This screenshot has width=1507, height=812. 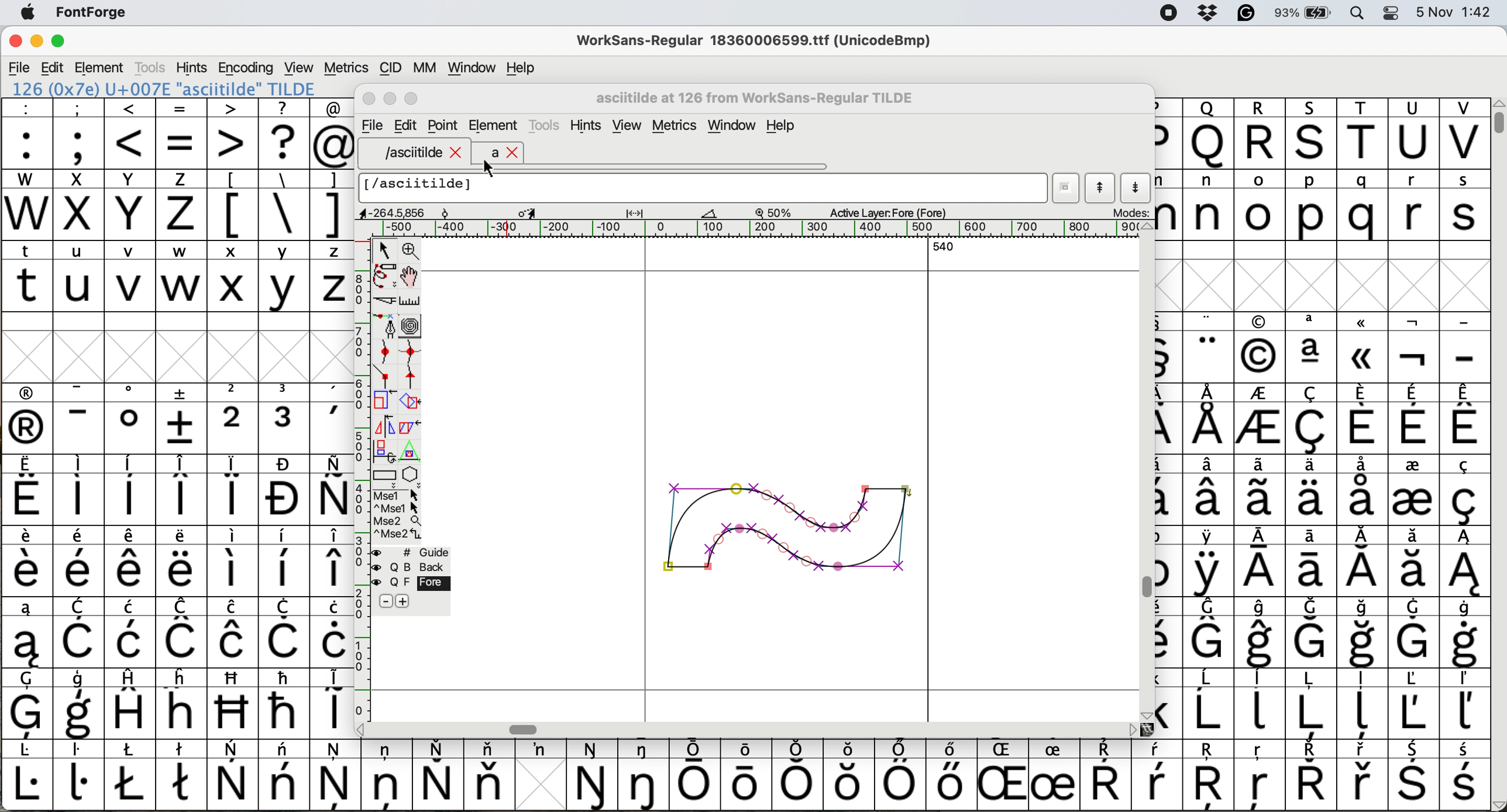 What do you see at coordinates (283, 205) in the screenshot?
I see `\` at bounding box center [283, 205].